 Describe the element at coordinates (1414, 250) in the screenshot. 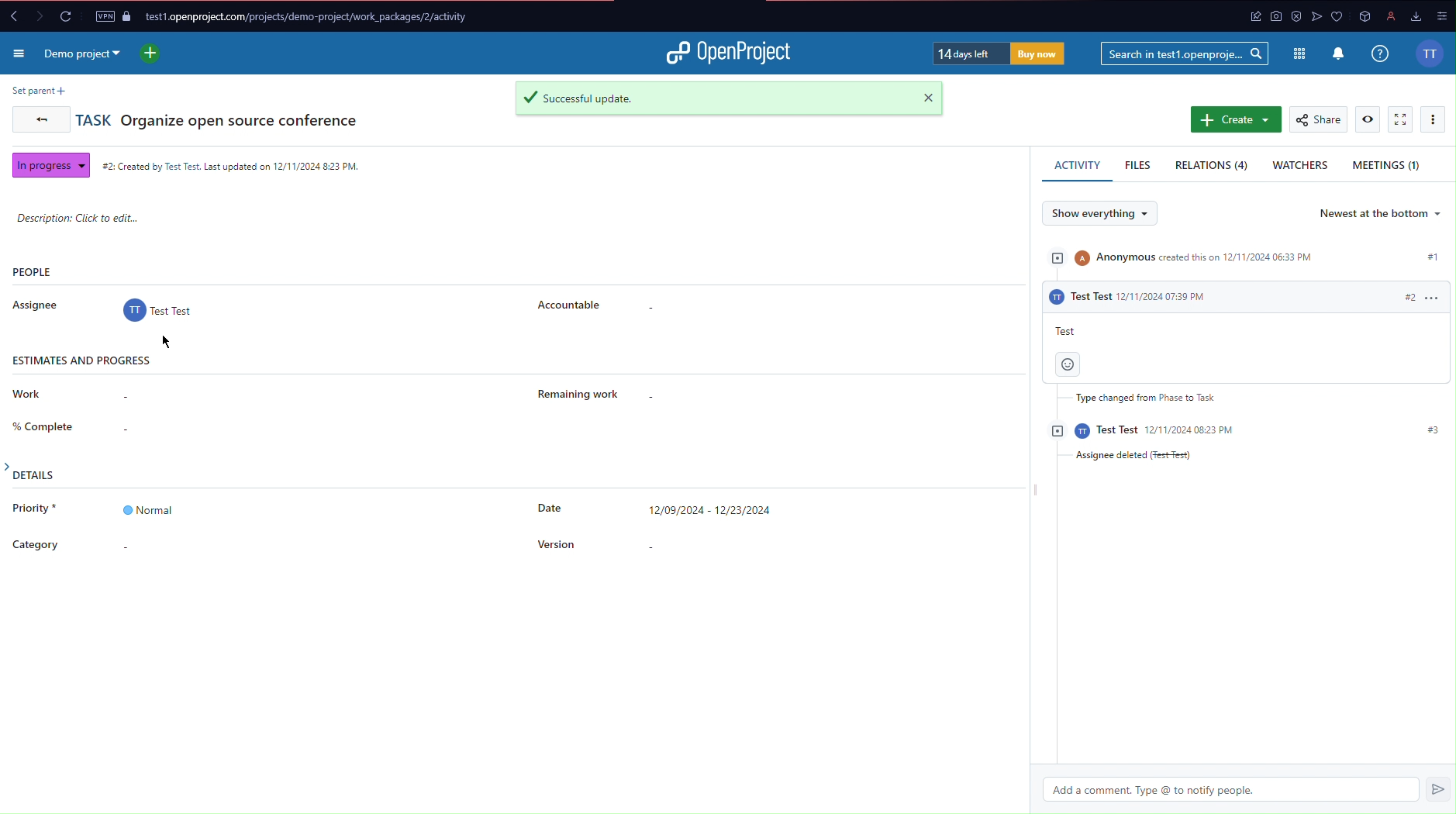

I see `#1` at that location.